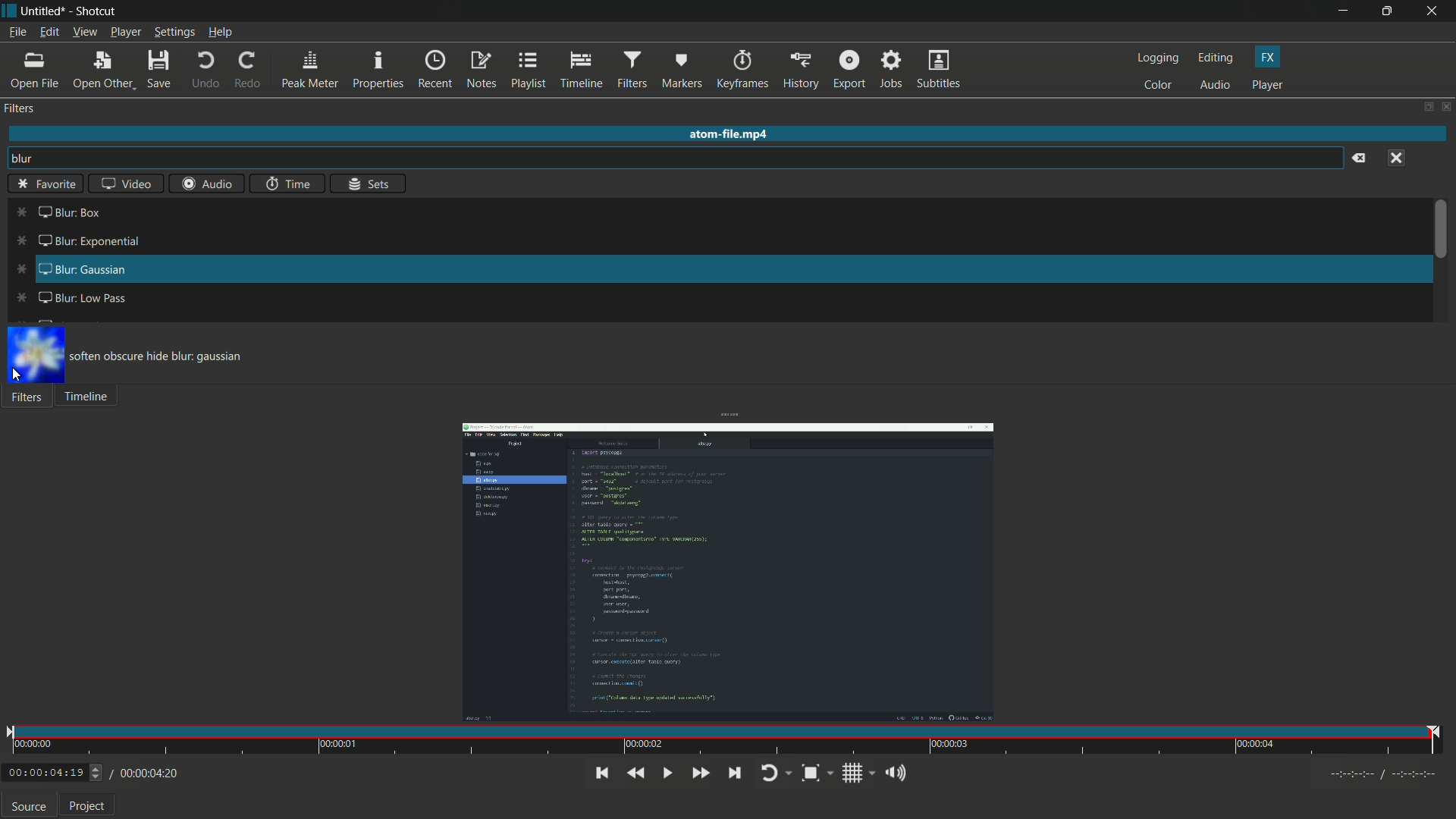  Describe the element at coordinates (33, 160) in the screenshot. I see `blur (typing)` at that location.